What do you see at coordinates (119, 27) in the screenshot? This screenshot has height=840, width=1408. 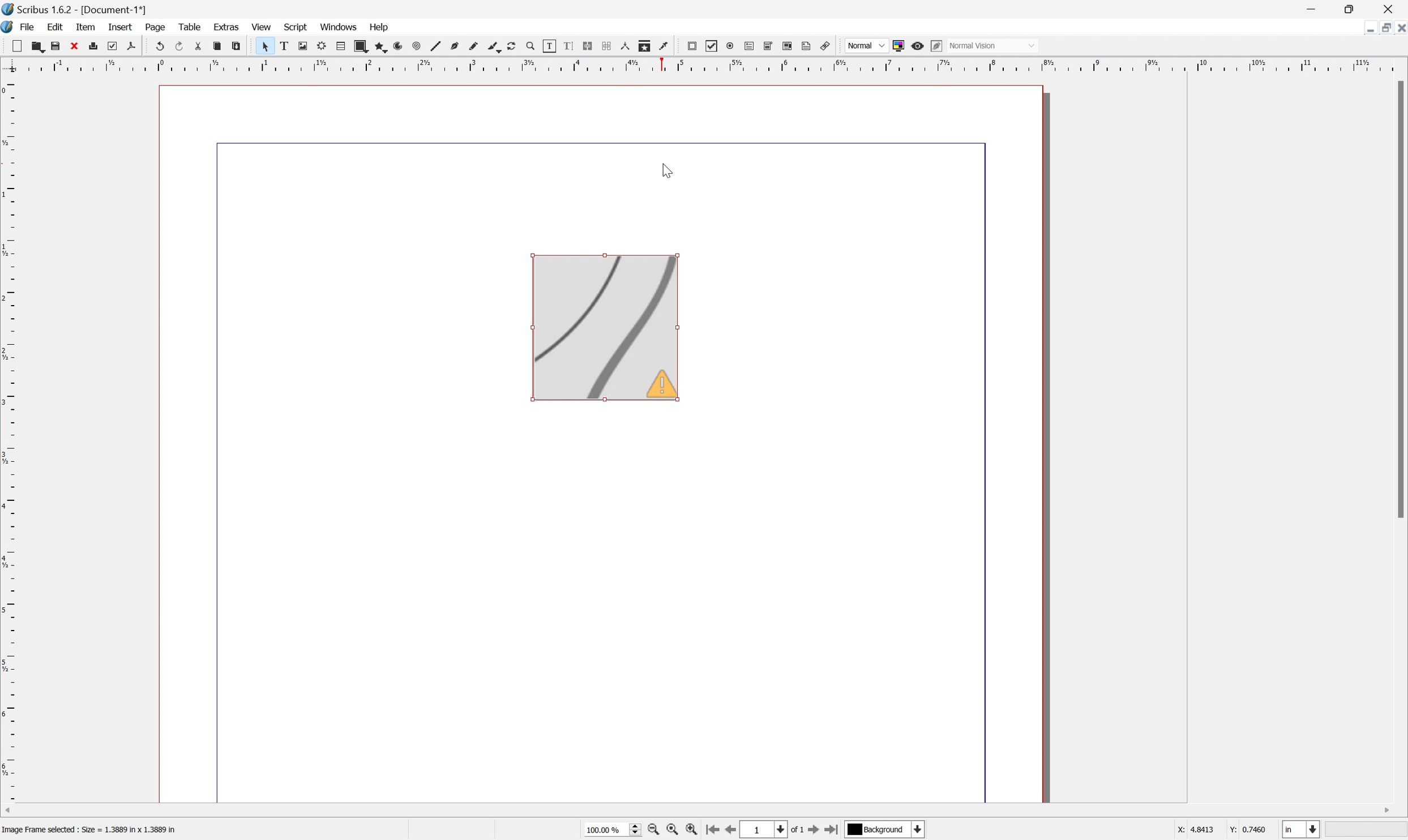 I see `Insert` at bounding box center [119, 27].